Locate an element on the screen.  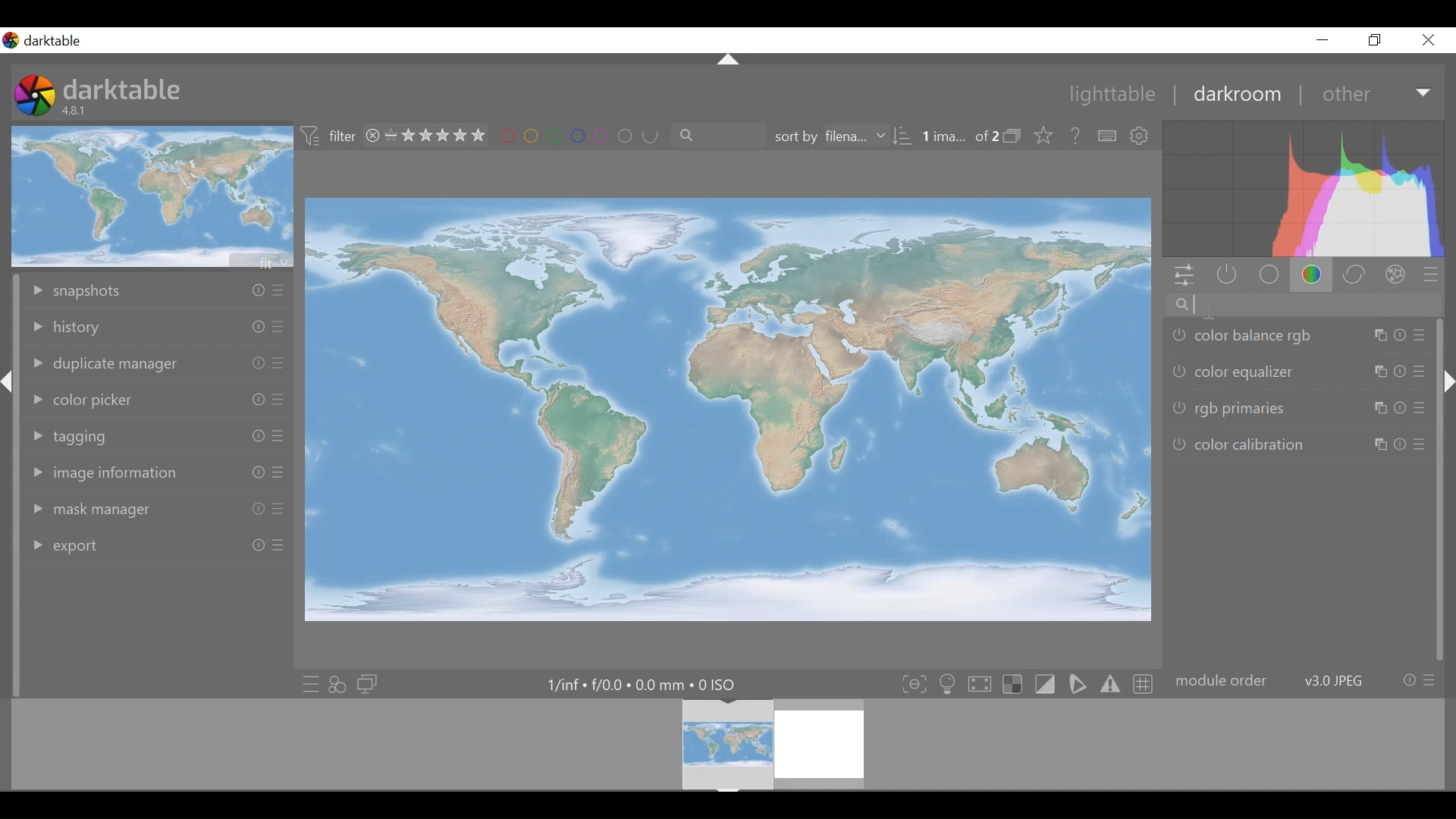
Image 1 out of 2 selected is located at coordinates (959, 135).